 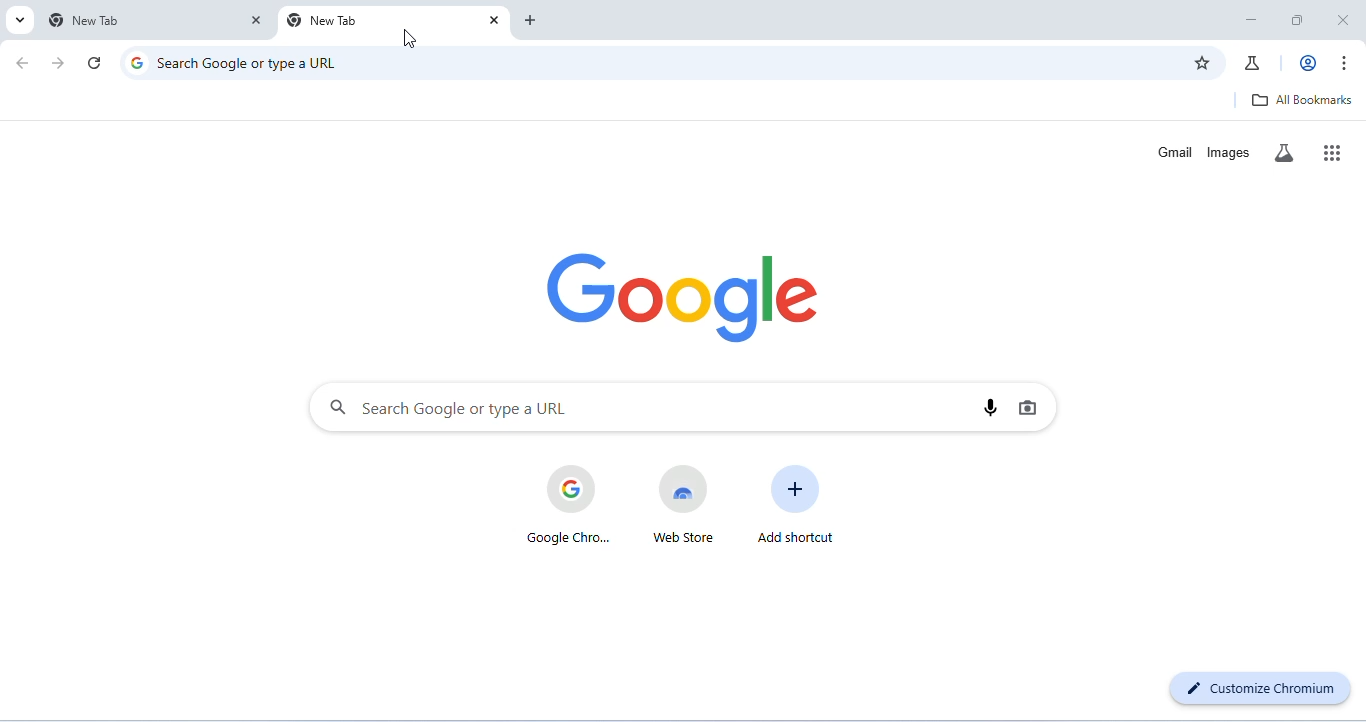 I want to click on add new tab, so click(x=534, y=21).